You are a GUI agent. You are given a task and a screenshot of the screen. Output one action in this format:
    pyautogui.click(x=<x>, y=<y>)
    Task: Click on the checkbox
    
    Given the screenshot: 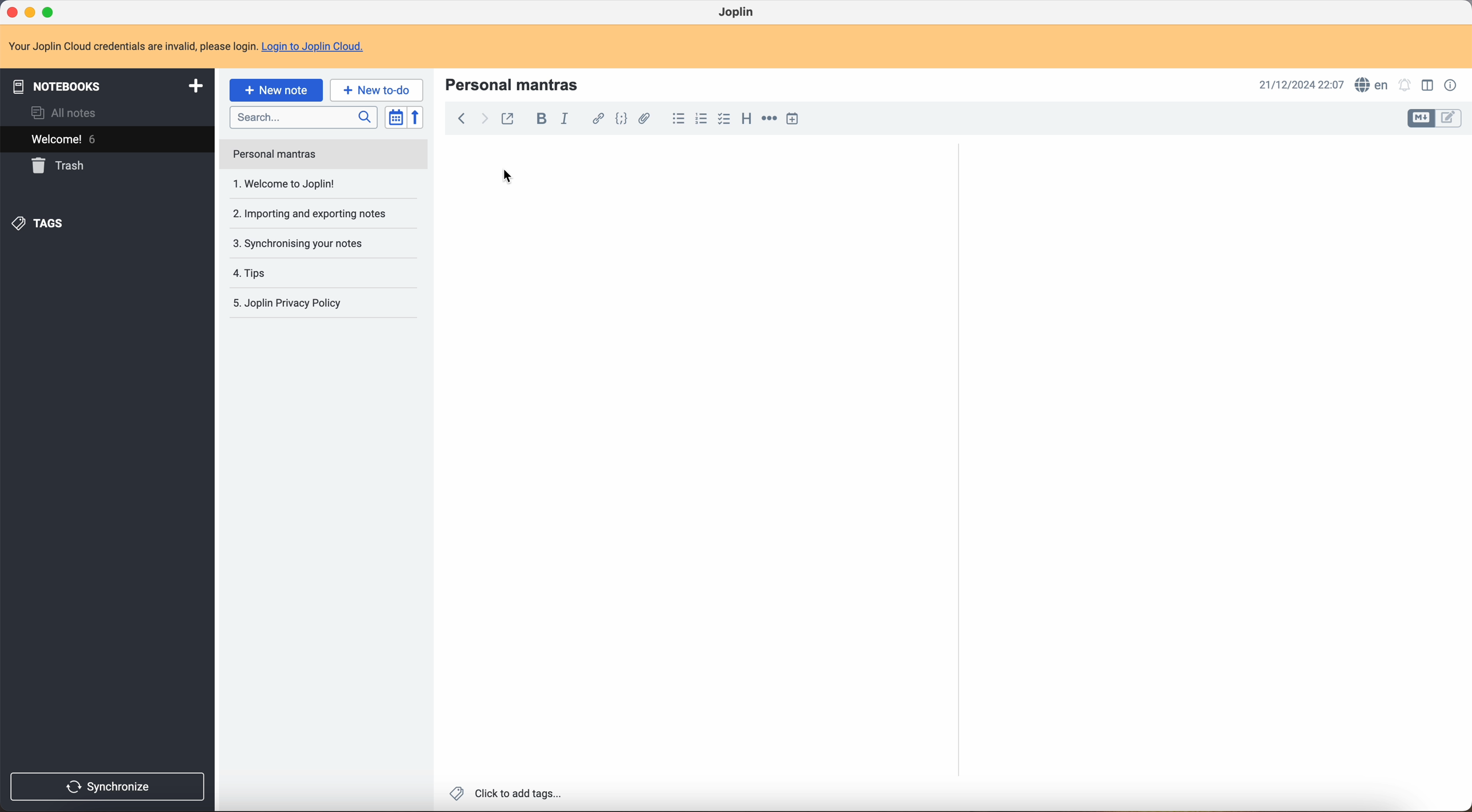 What is the action you would take?
    pyautogui.click(x=724, y=119)
    